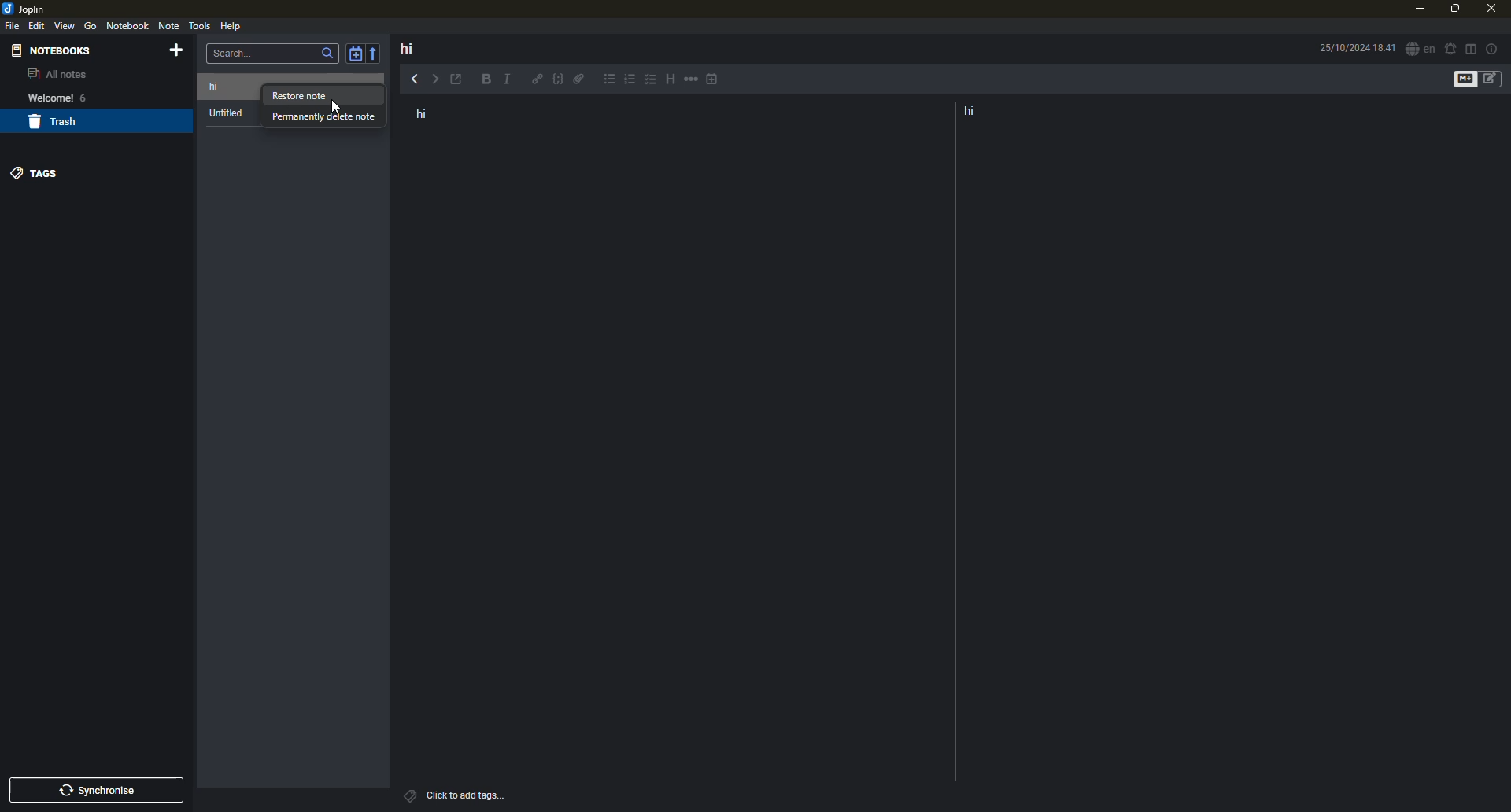 The width and height of the screenshot is (1511, 812). I want to click on numbered list, so click(630, 82).